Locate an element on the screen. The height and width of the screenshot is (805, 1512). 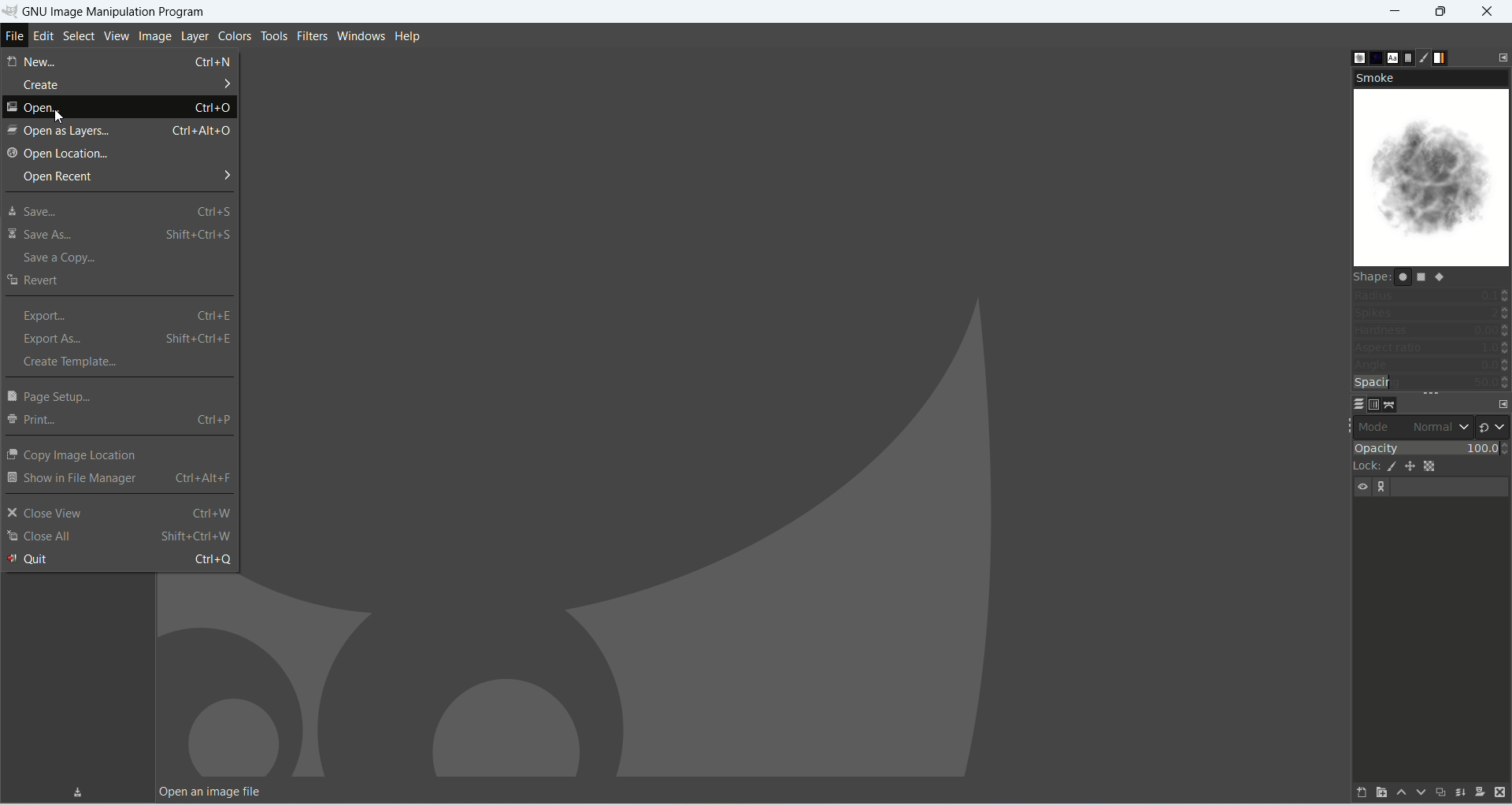
shape is located at coordinates (1432, 276).